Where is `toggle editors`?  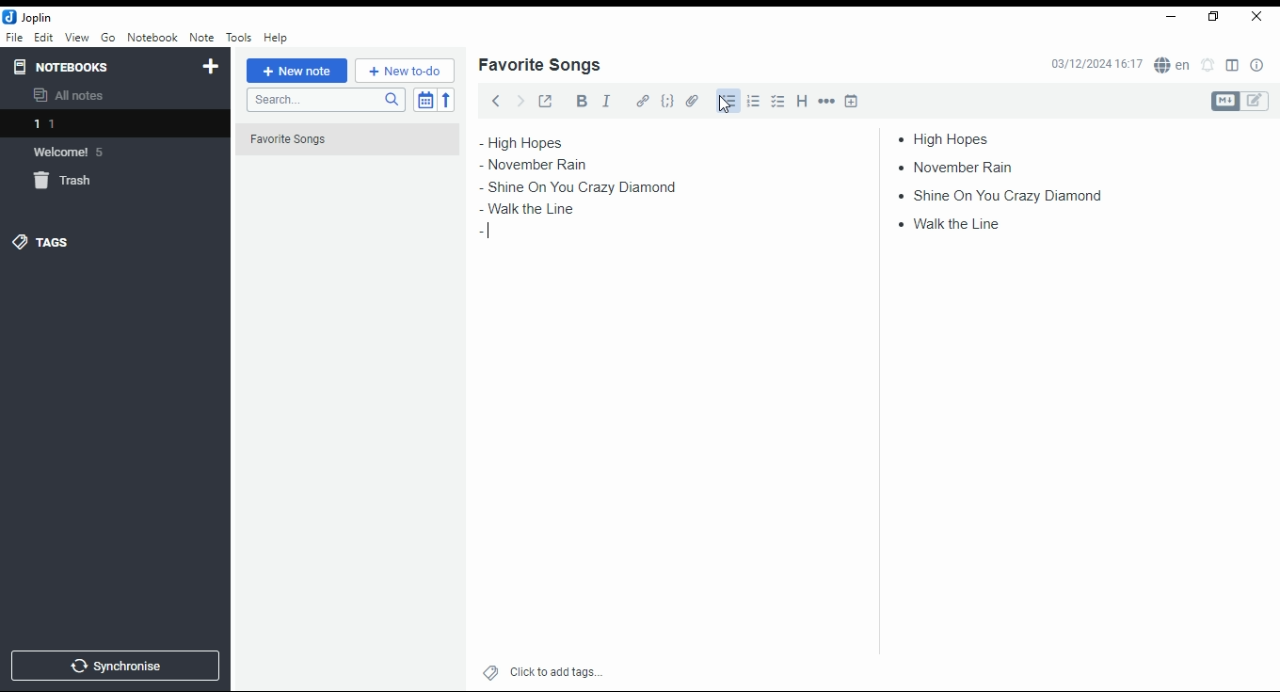
toggle editors is located at coordinates (1240, 101).